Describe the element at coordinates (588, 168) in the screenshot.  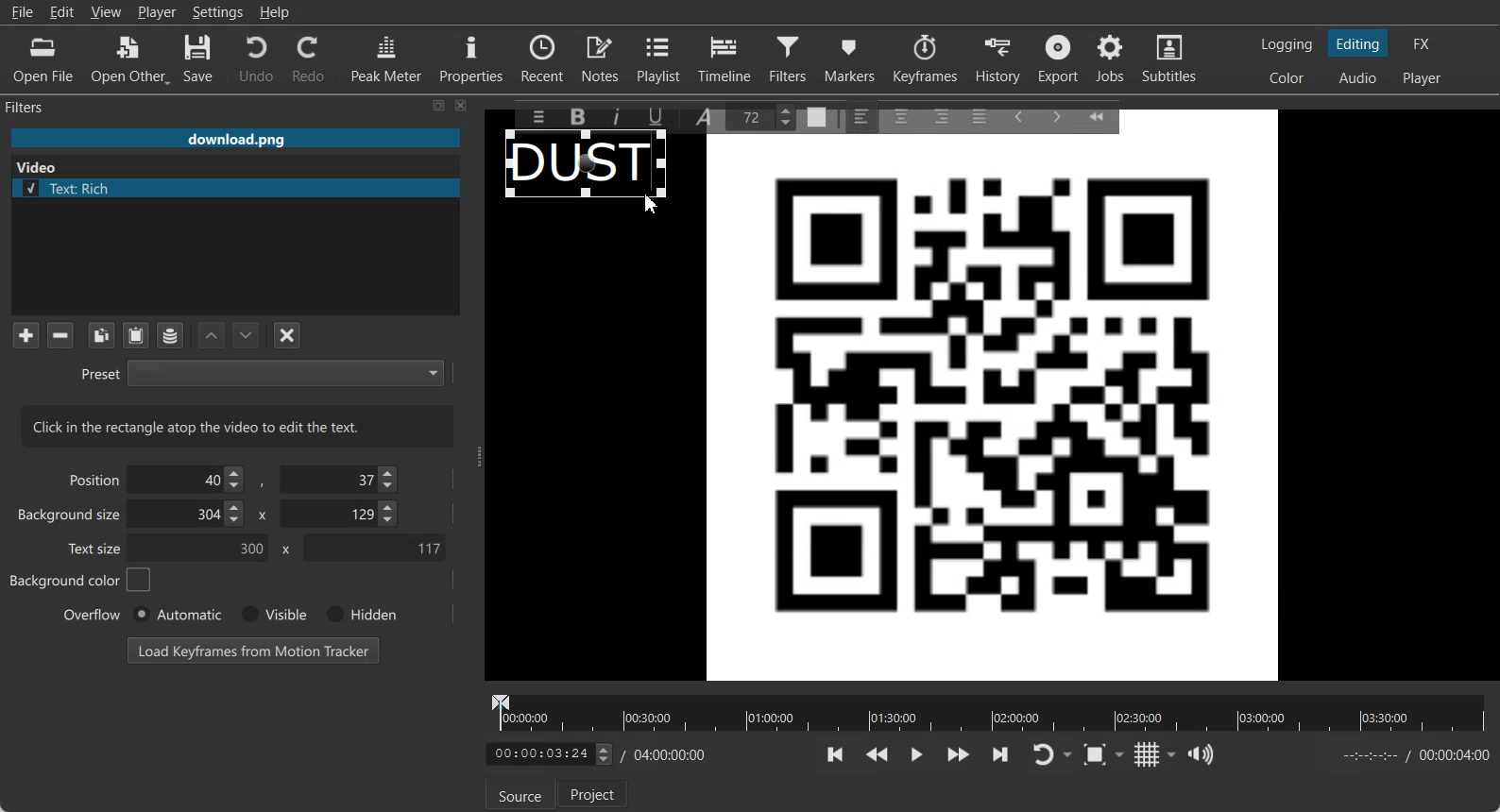
I see `Text Frame` at that location.